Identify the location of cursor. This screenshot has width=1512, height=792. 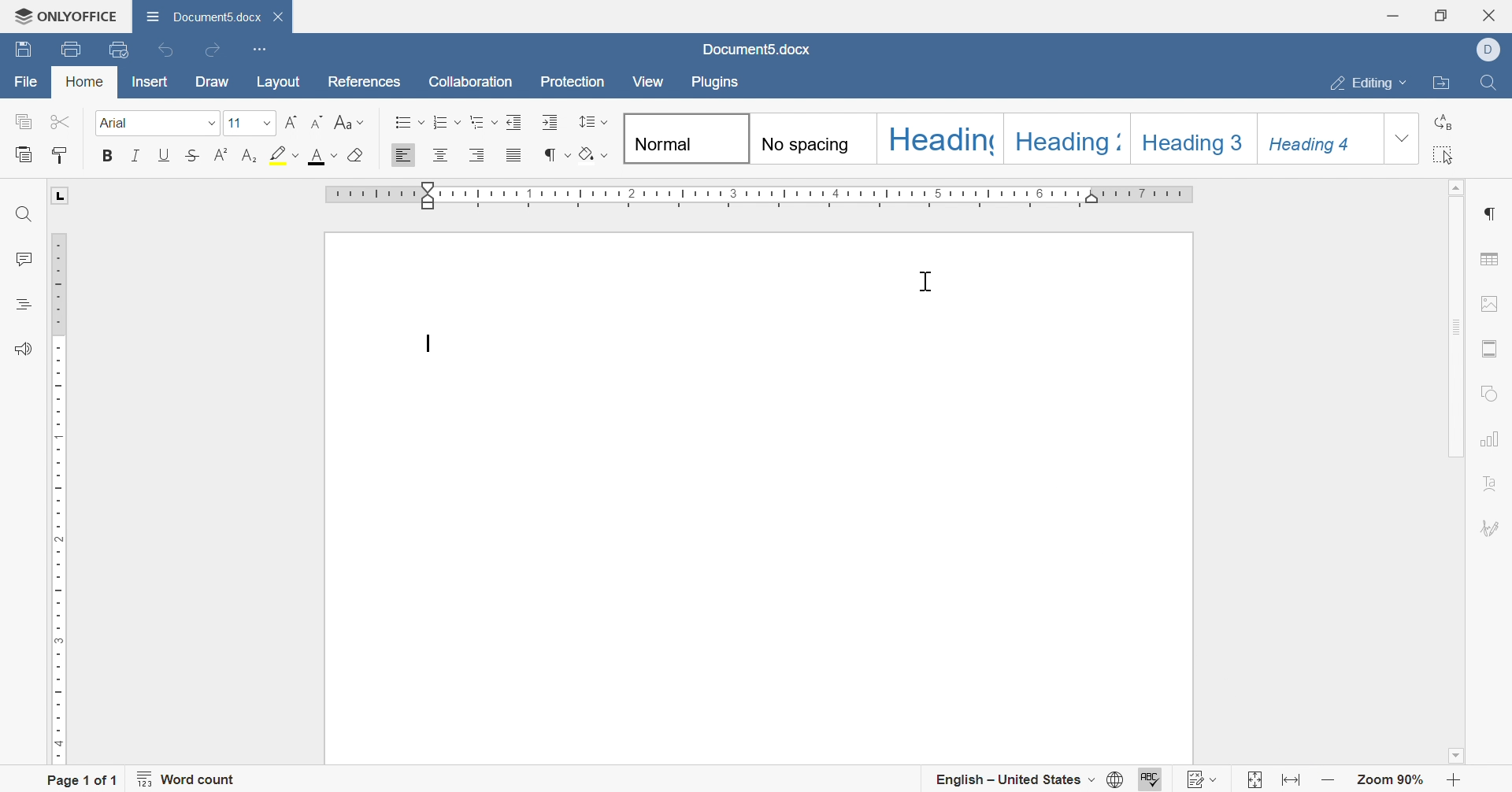
(927, 280).